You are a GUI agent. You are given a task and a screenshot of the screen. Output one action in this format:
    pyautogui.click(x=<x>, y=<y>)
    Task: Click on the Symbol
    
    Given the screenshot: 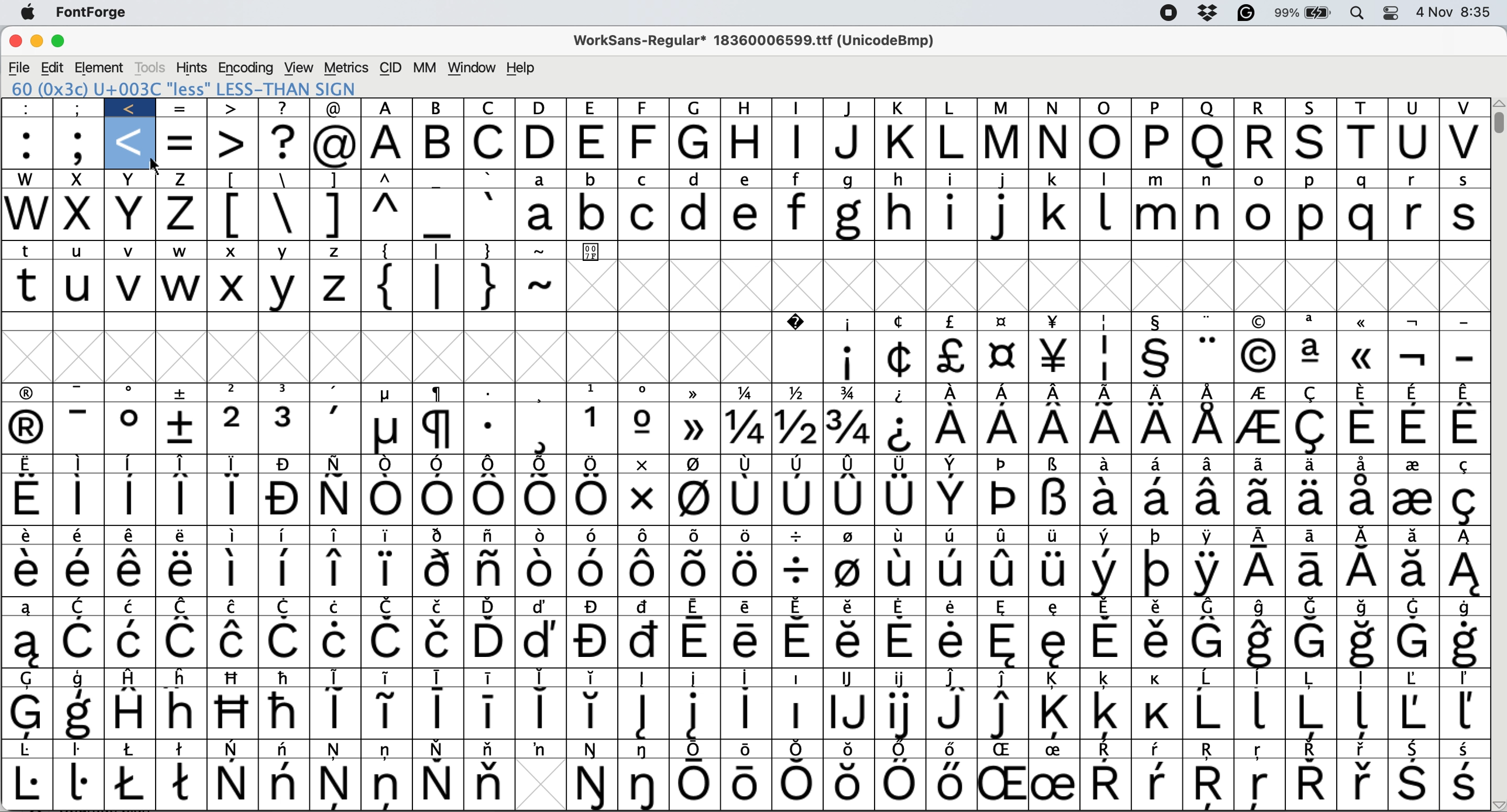 What is the action you would take?
    pyautogui.click(x=541, y=432)
    